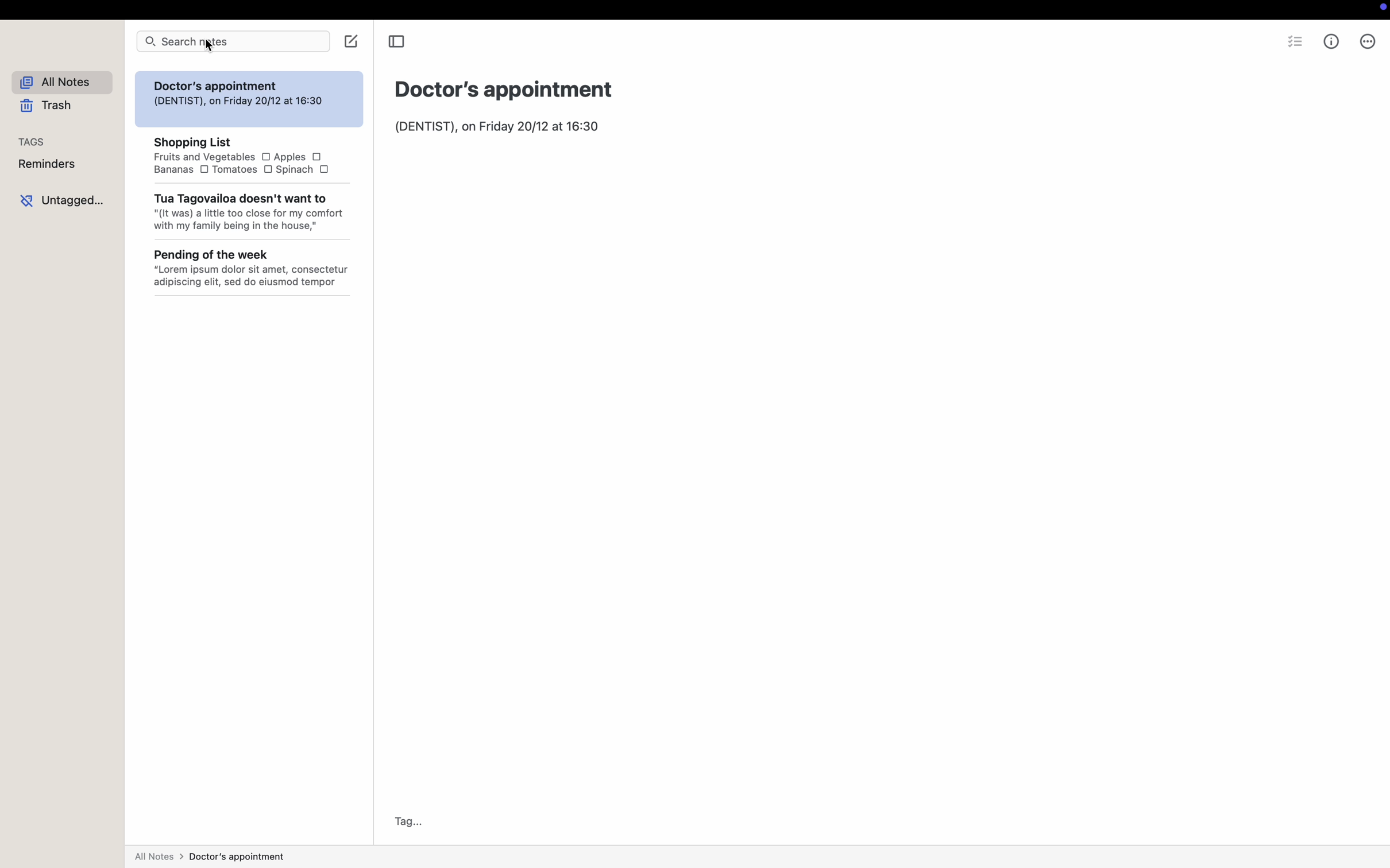  What do you see at coordinates (505, 88) in the screenshot?
I see `Doctor's appointment` at bounding box center [505, 88].